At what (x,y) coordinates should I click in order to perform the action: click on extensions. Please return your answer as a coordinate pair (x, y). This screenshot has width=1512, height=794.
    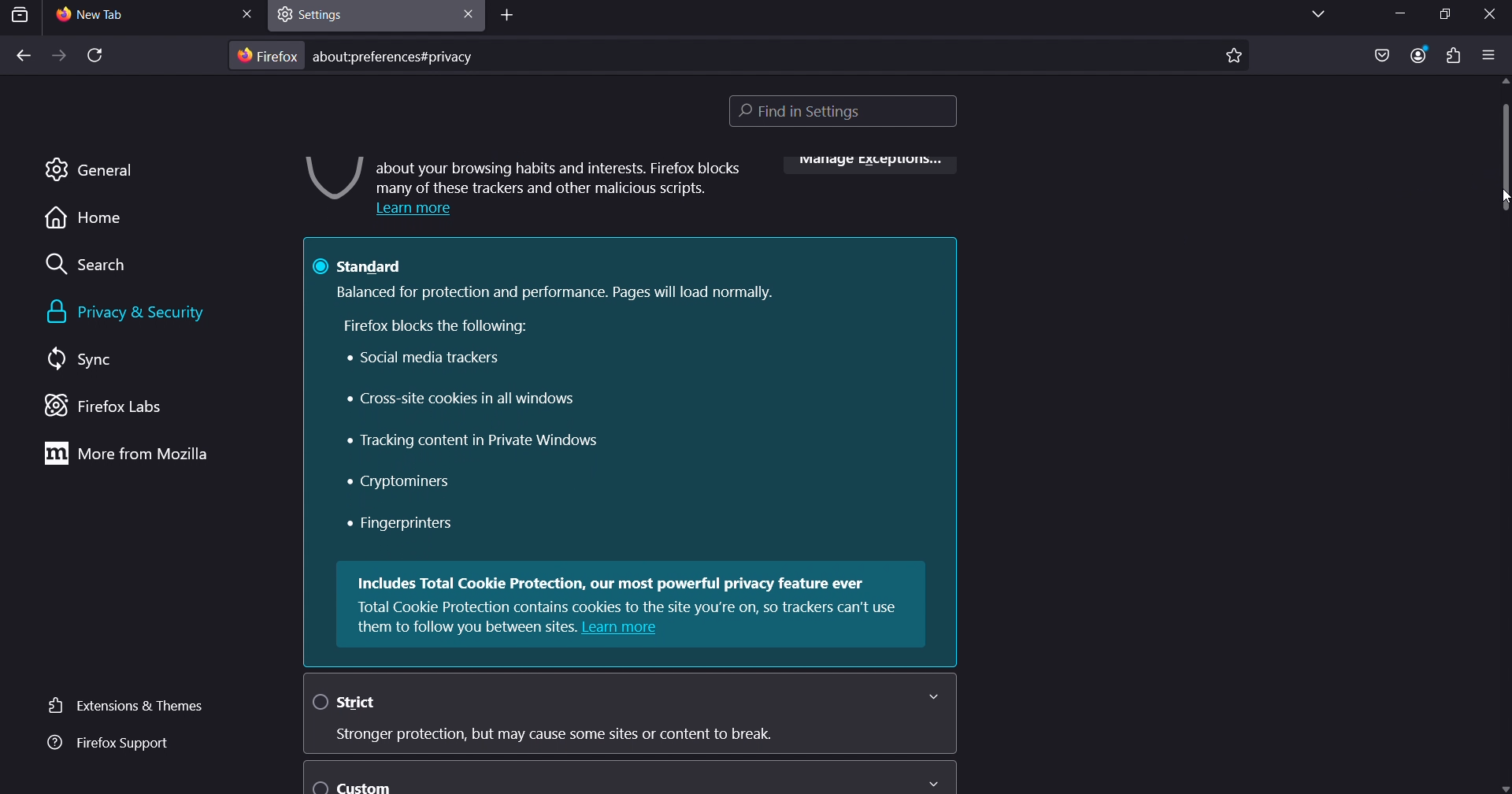
    Looking at the image, I should click on (1451, 56).